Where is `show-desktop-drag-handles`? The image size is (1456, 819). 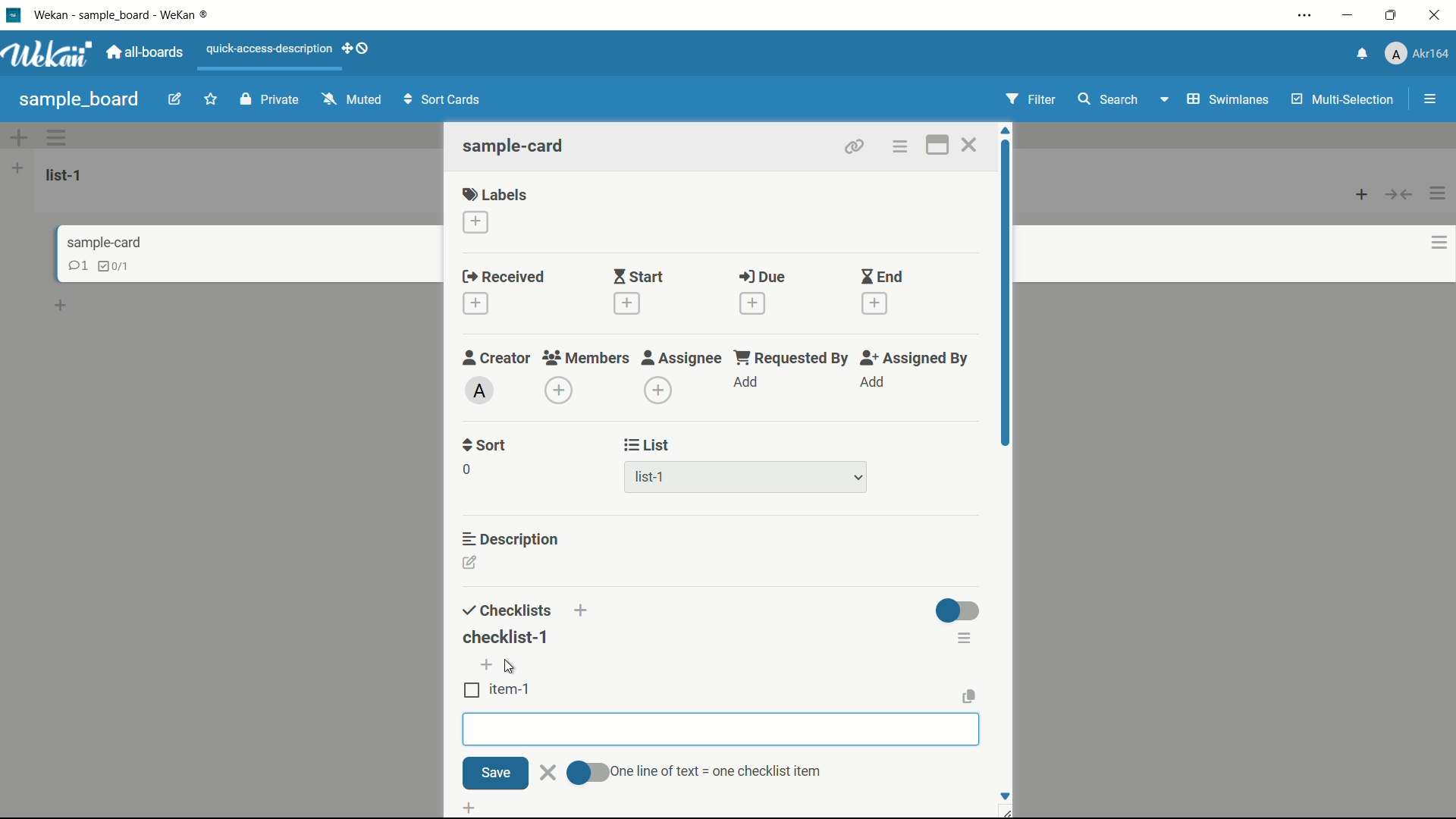 show-desktop-drag-handles is located at coordinates (362, 50).